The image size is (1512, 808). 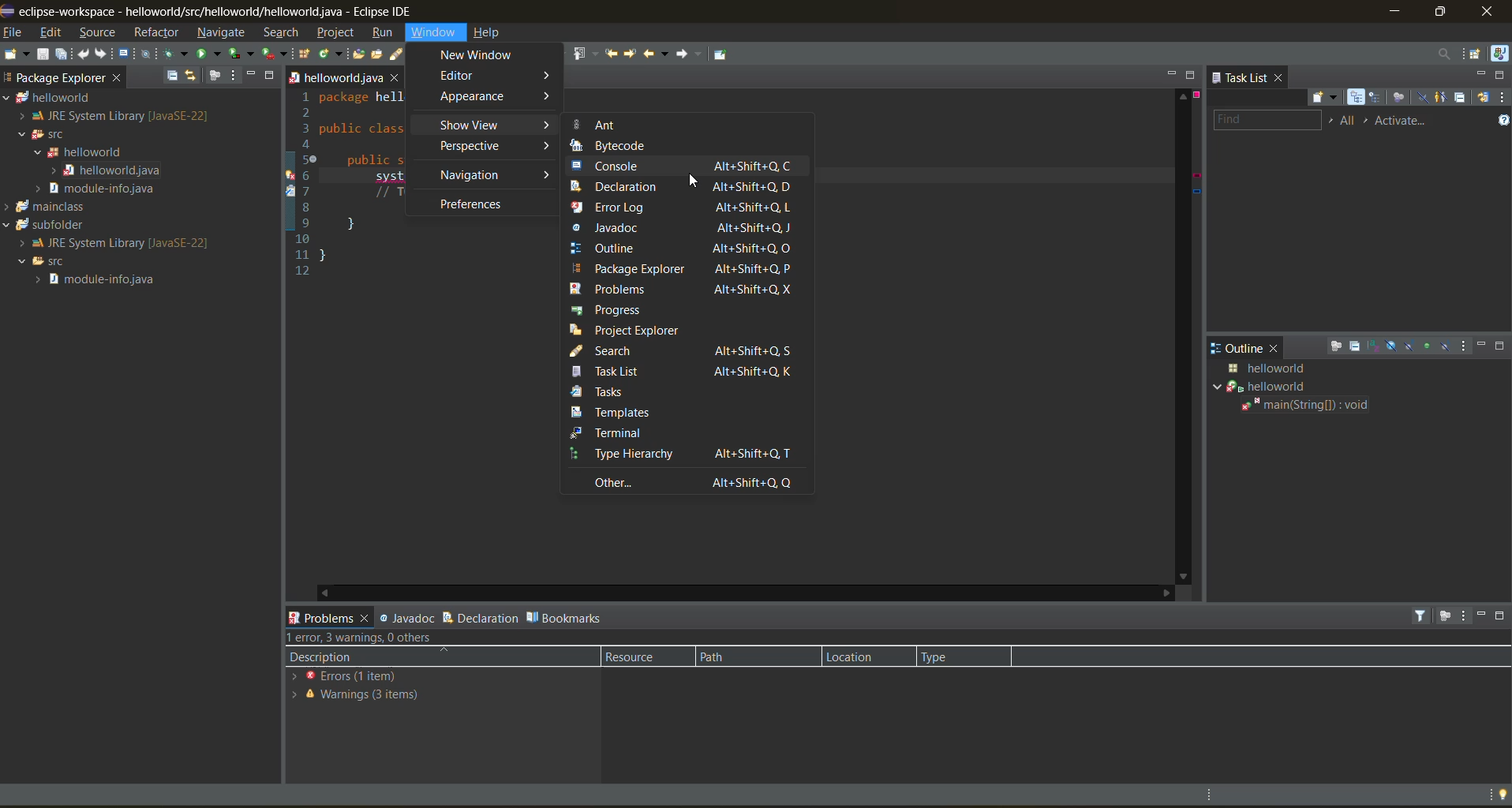 I want to click on problems, so click(x=696, y=289).